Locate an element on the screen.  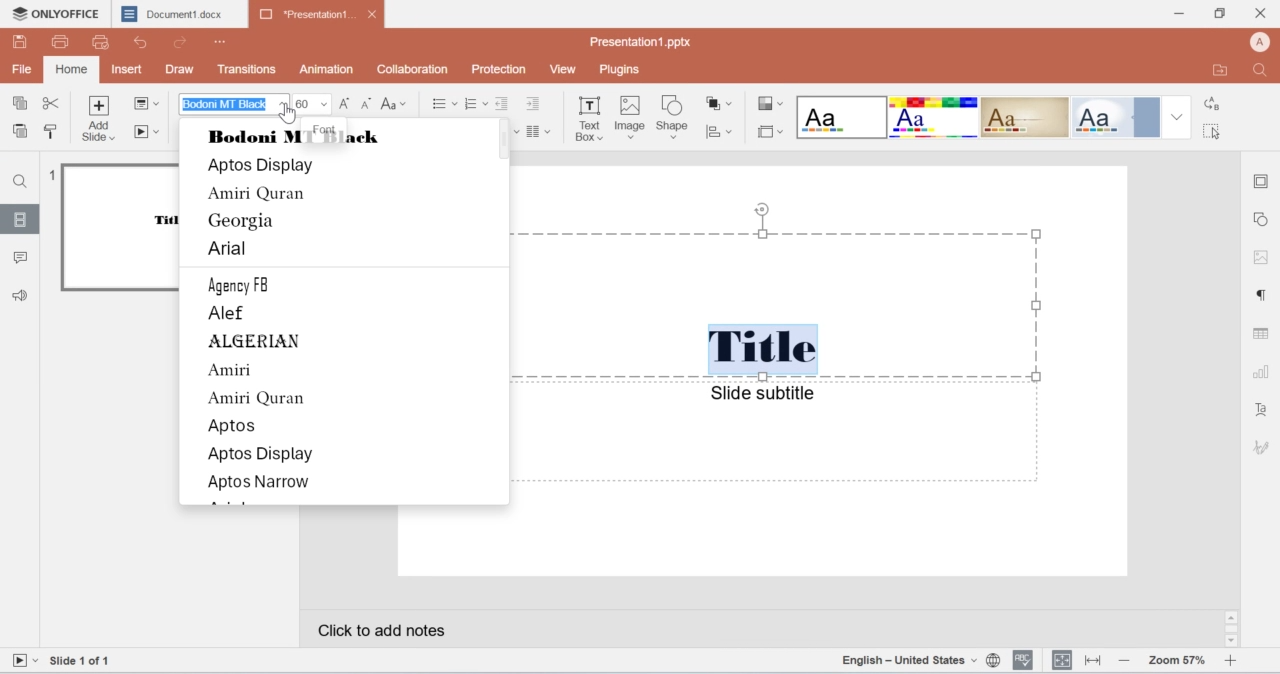
numbered list is located at coordinates (477, 103).